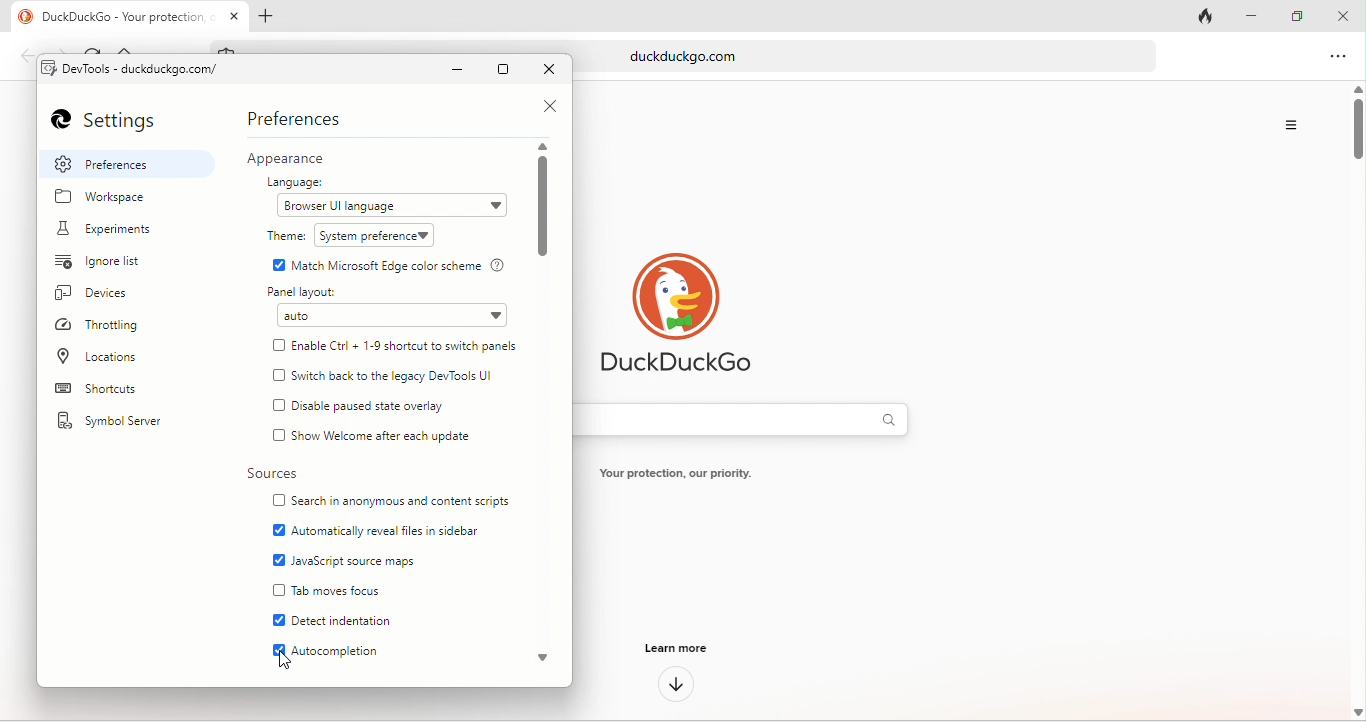 This screenshot has width=1366, height=722. I want to click on D DuckDuckGo - Your protection, so click(126, 17).